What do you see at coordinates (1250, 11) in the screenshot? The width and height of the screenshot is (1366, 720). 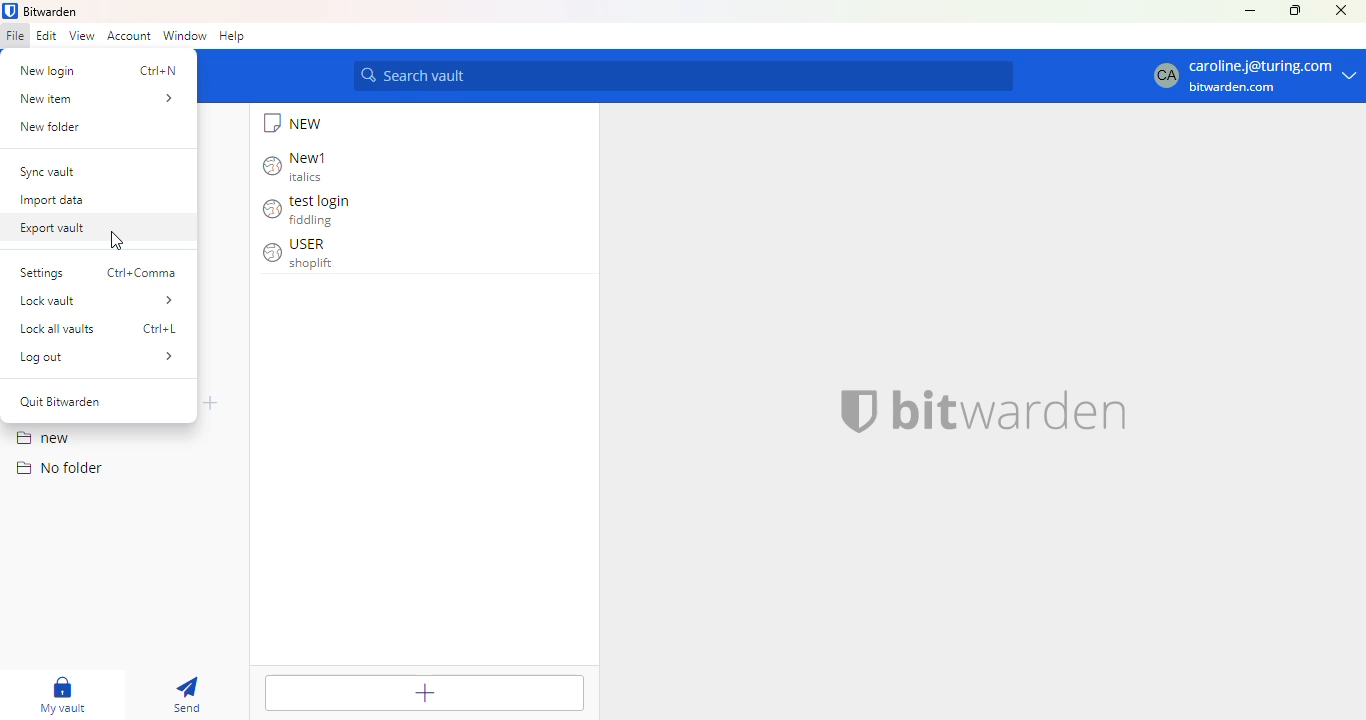 I see `minimize` at bounding box center [1250, 11].